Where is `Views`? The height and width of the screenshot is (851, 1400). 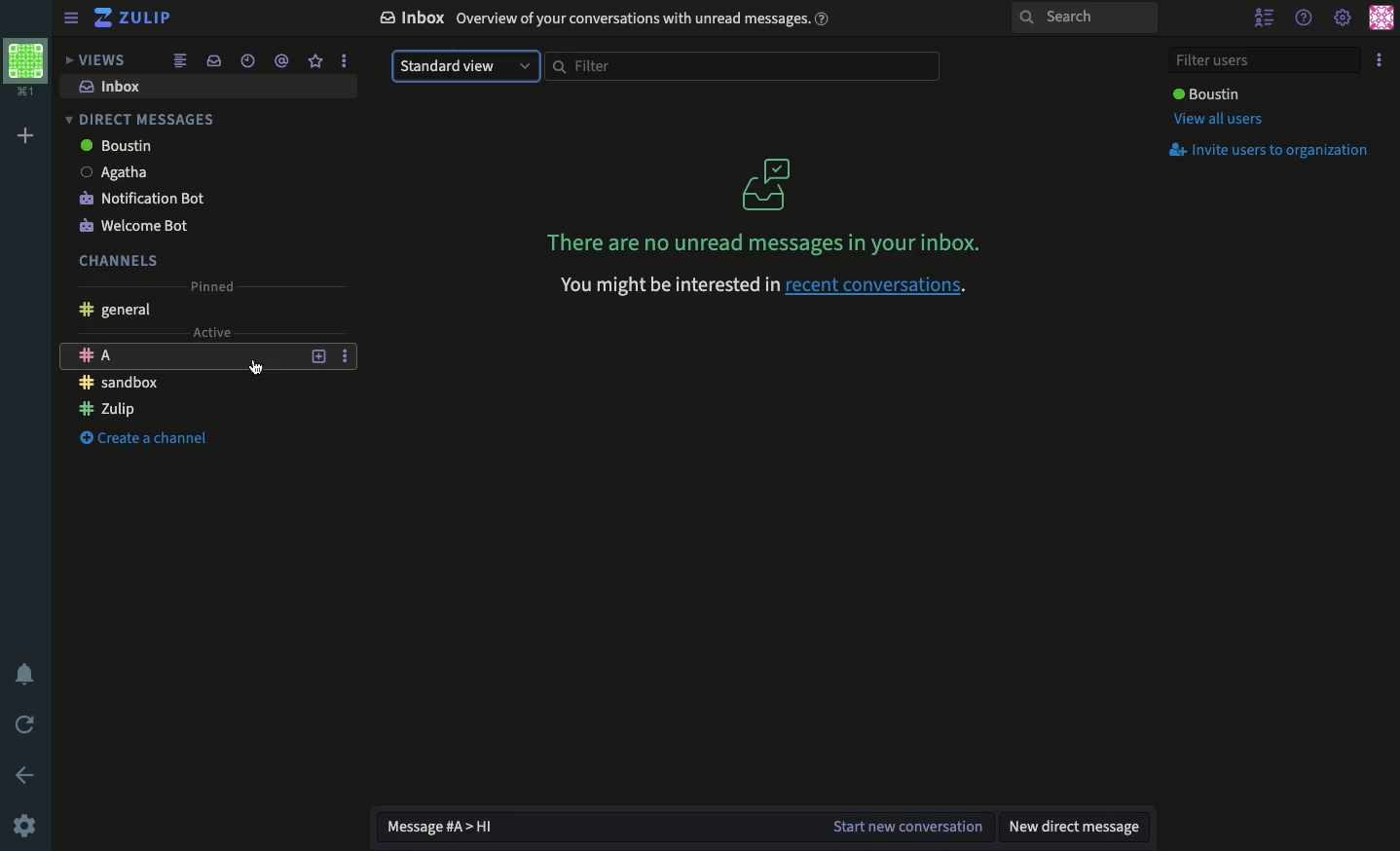
Views is located at coordinates (98, 59).